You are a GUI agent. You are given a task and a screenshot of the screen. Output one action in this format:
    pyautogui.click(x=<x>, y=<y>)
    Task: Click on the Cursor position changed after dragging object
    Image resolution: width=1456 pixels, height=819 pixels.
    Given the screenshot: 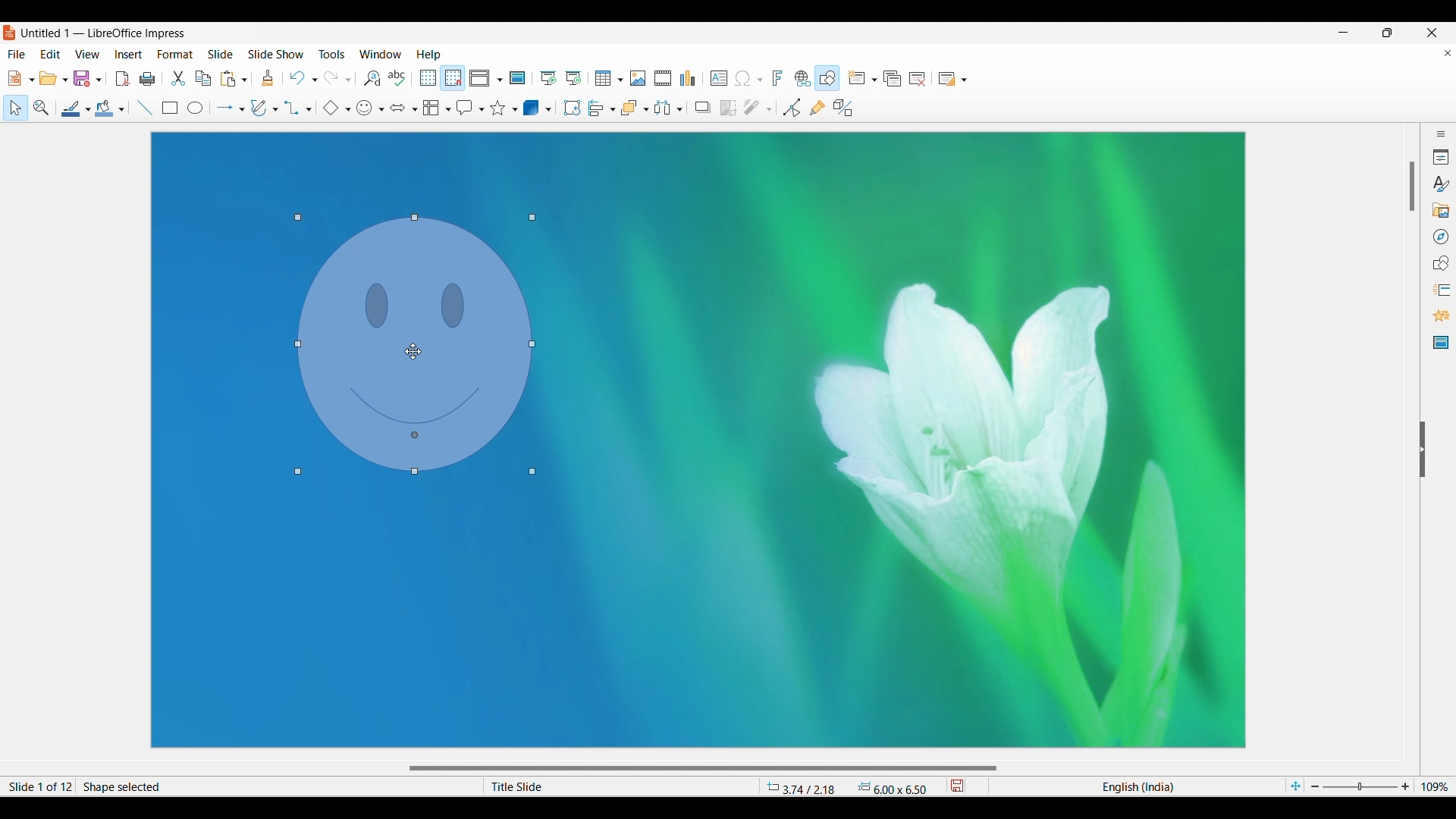 What is the action you would take?
    pyautogui.click(x=413, y=352)
    